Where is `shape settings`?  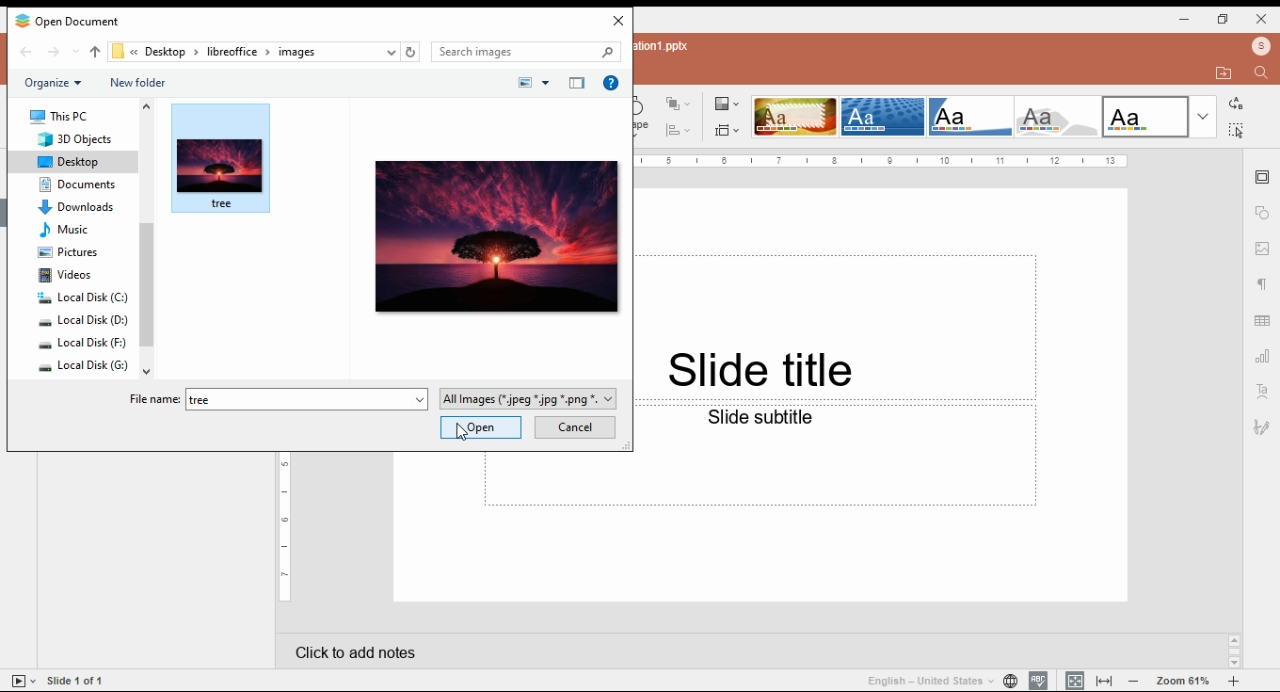
shape settings is located at coordinates (1262, 214).